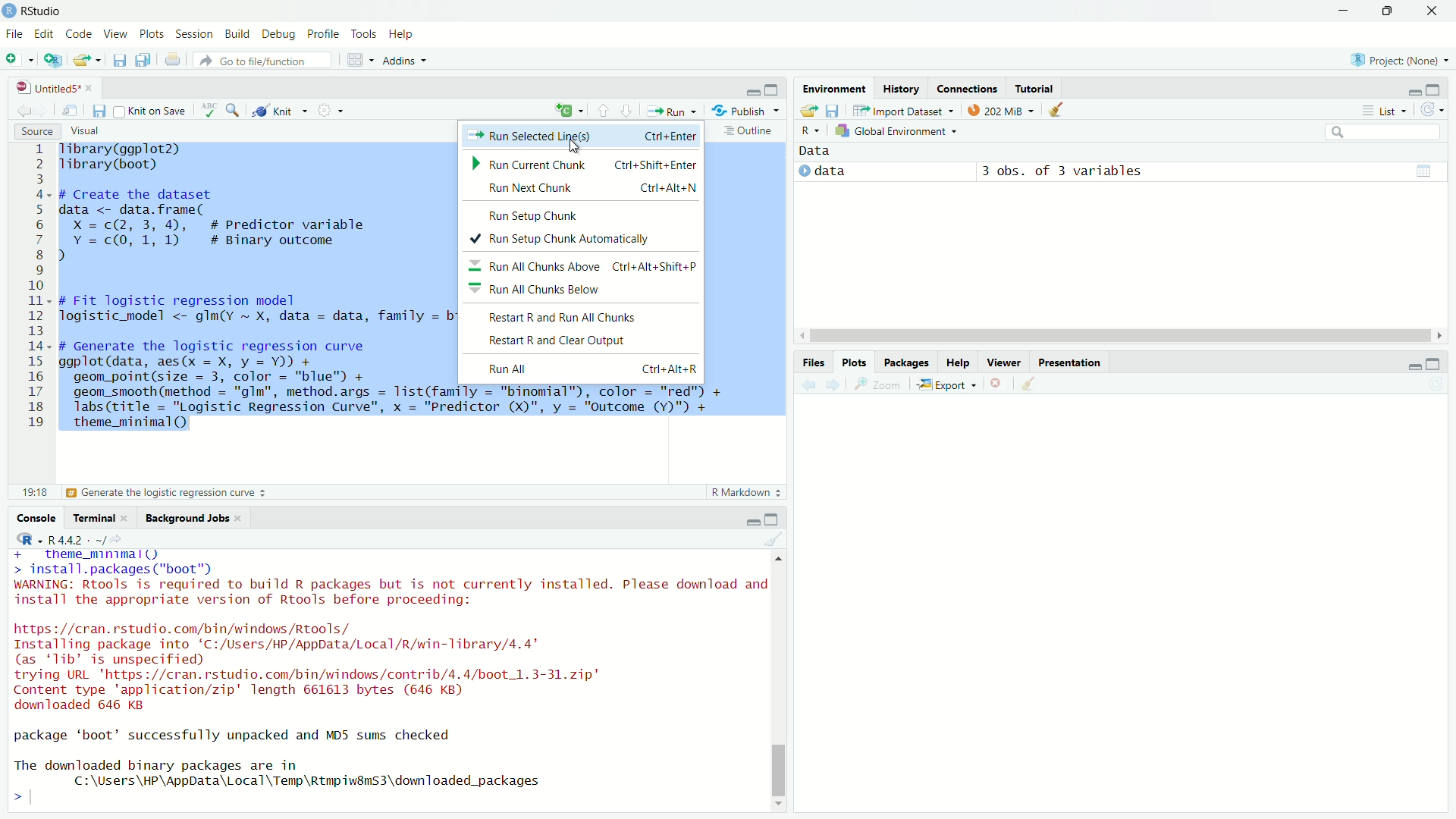 The height and width of the screenshot is (819, 1456). I want to click on Open an existing file, so click(80, 61).